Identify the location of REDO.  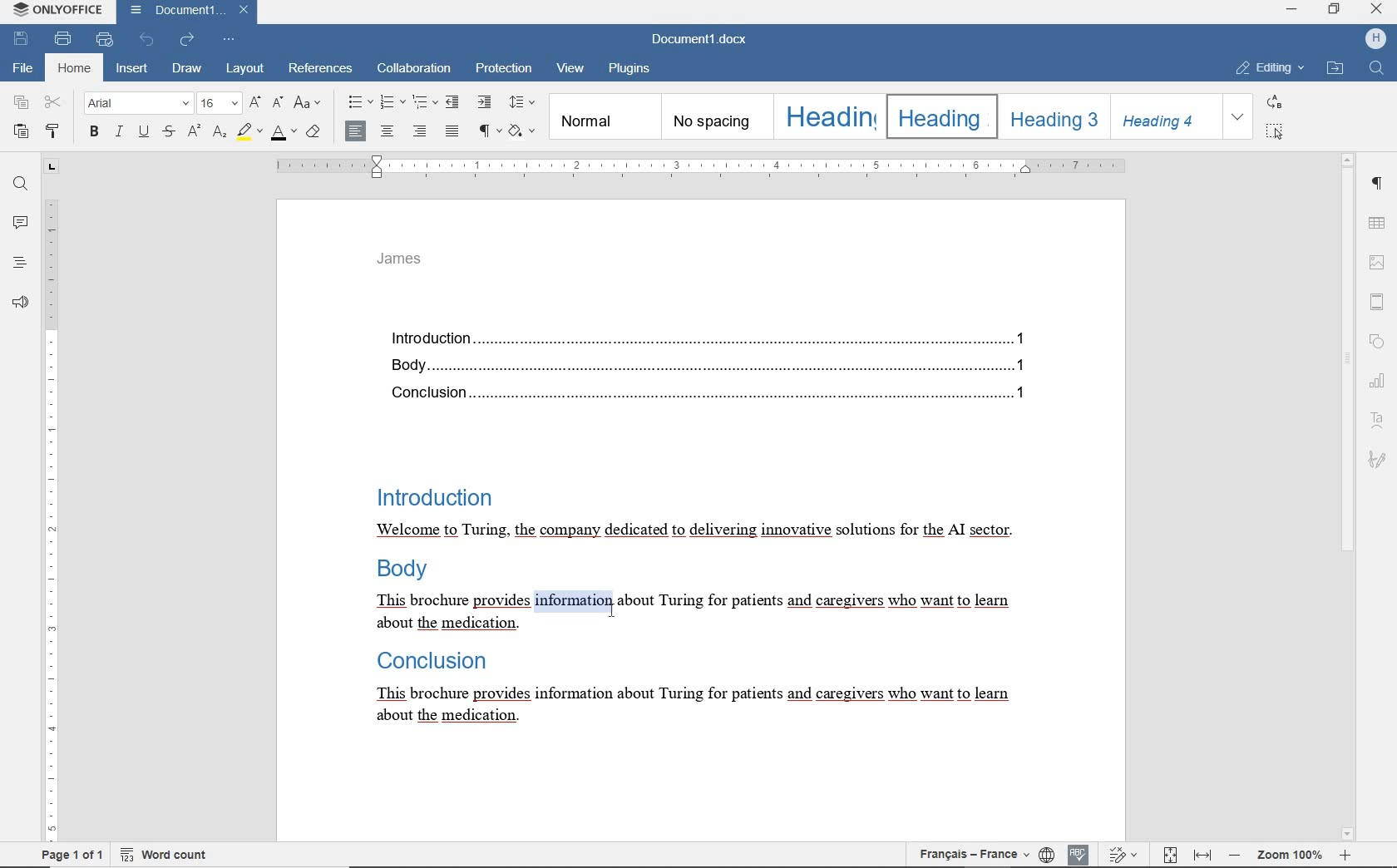
(188, 41).